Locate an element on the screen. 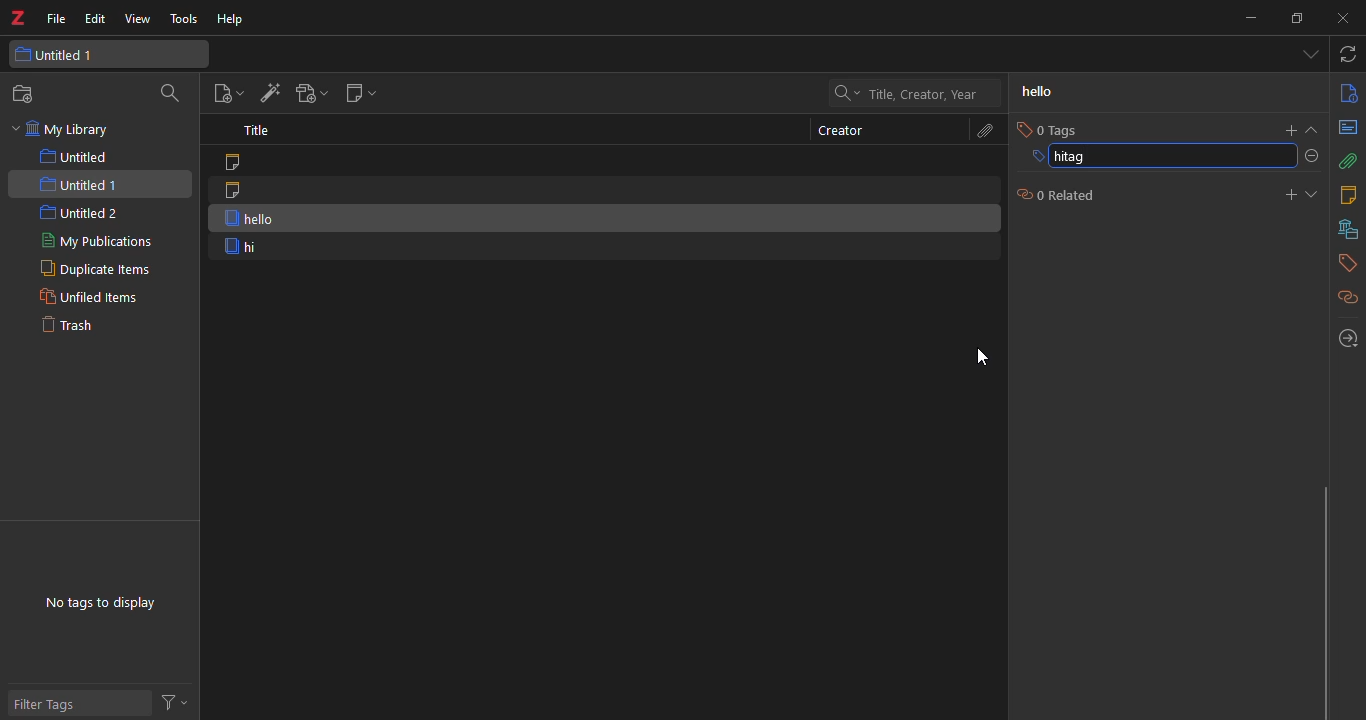 This screenshot has width=1366, height=720. info is located at coordinates (1346, 94).